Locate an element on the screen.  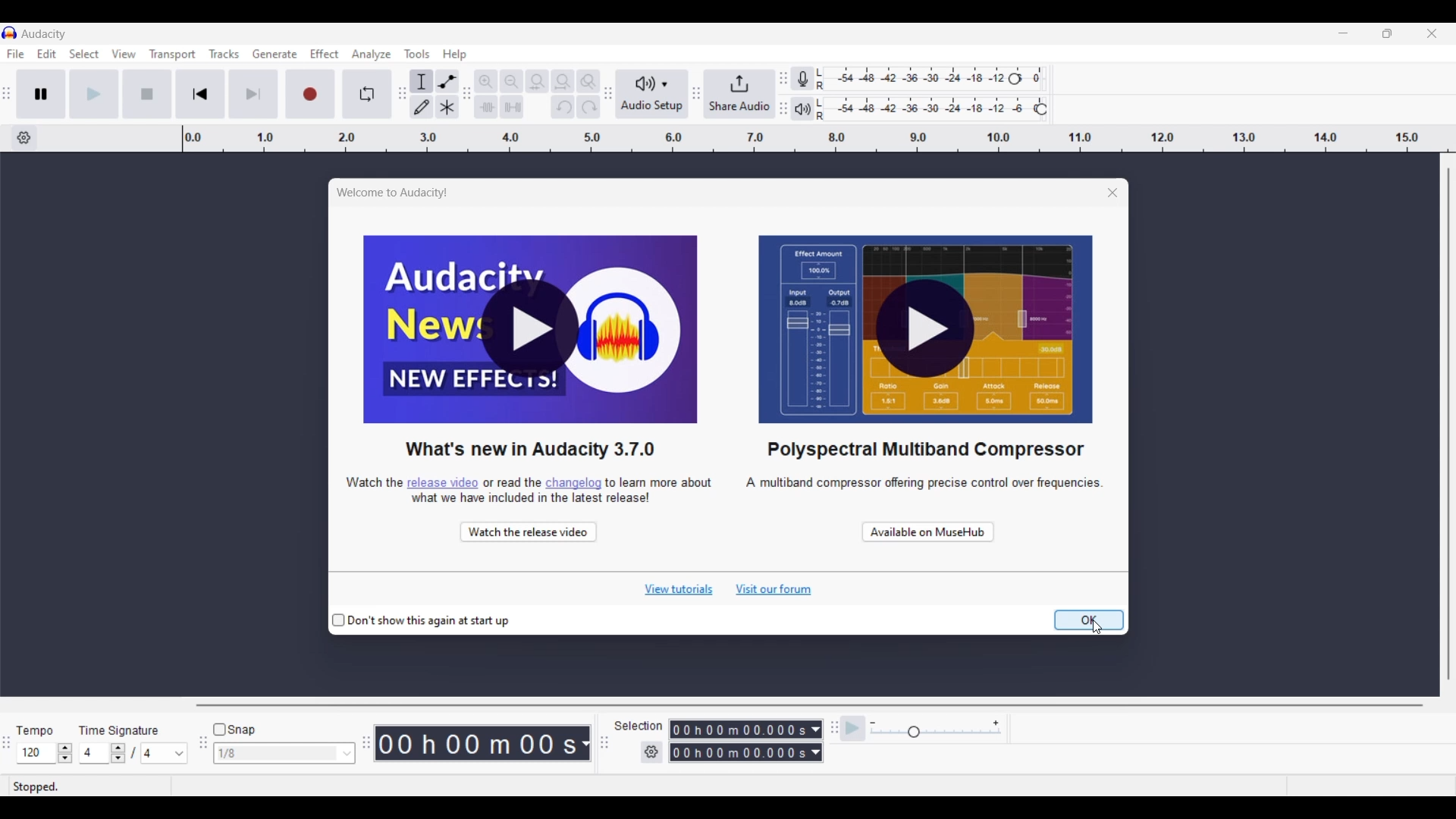
visit forum is located at coordinates (774, 590).